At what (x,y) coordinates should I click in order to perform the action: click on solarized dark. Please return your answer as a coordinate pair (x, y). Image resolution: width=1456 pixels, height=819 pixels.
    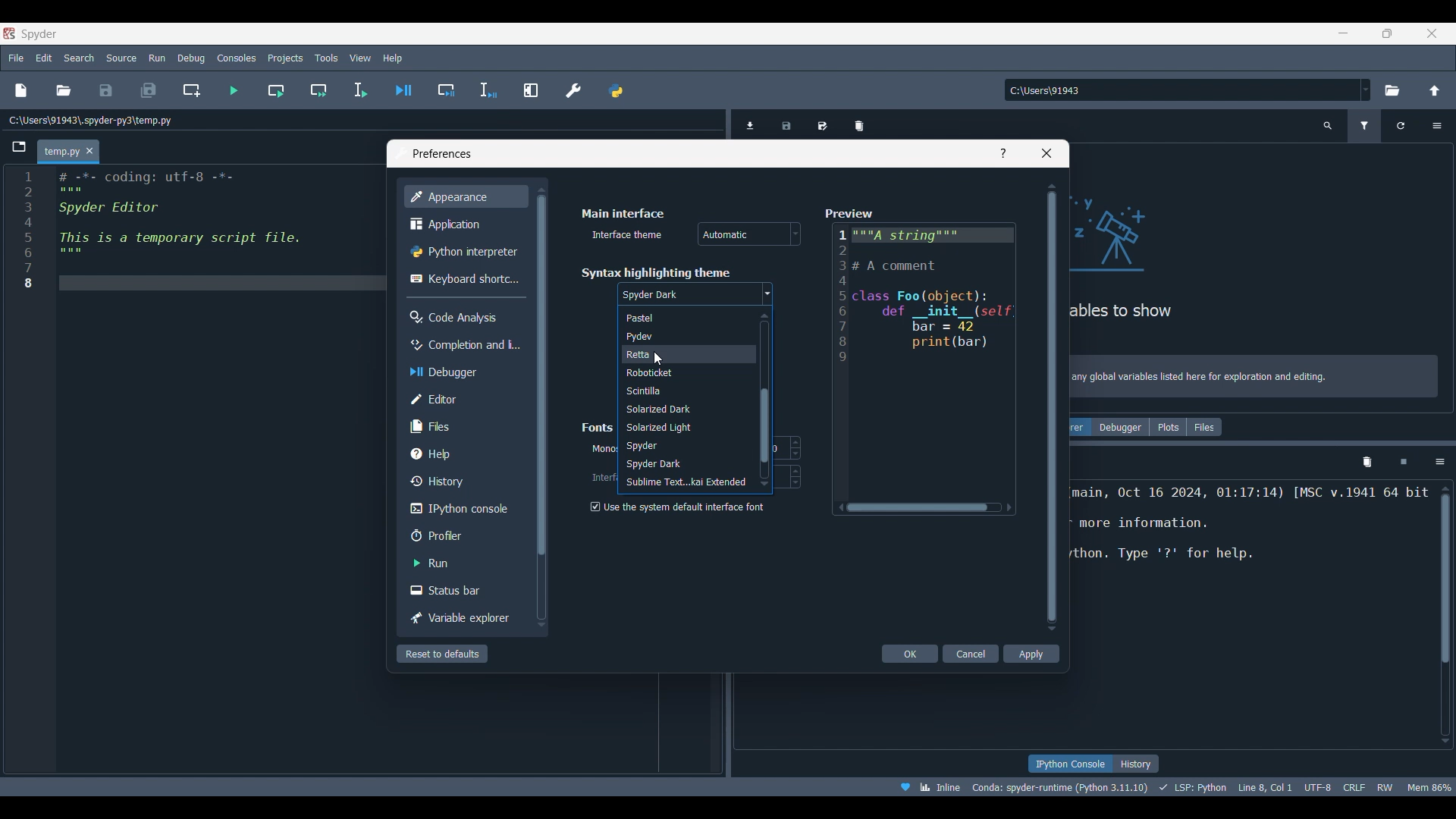
    Looking at the image, I should click on (686, 409).